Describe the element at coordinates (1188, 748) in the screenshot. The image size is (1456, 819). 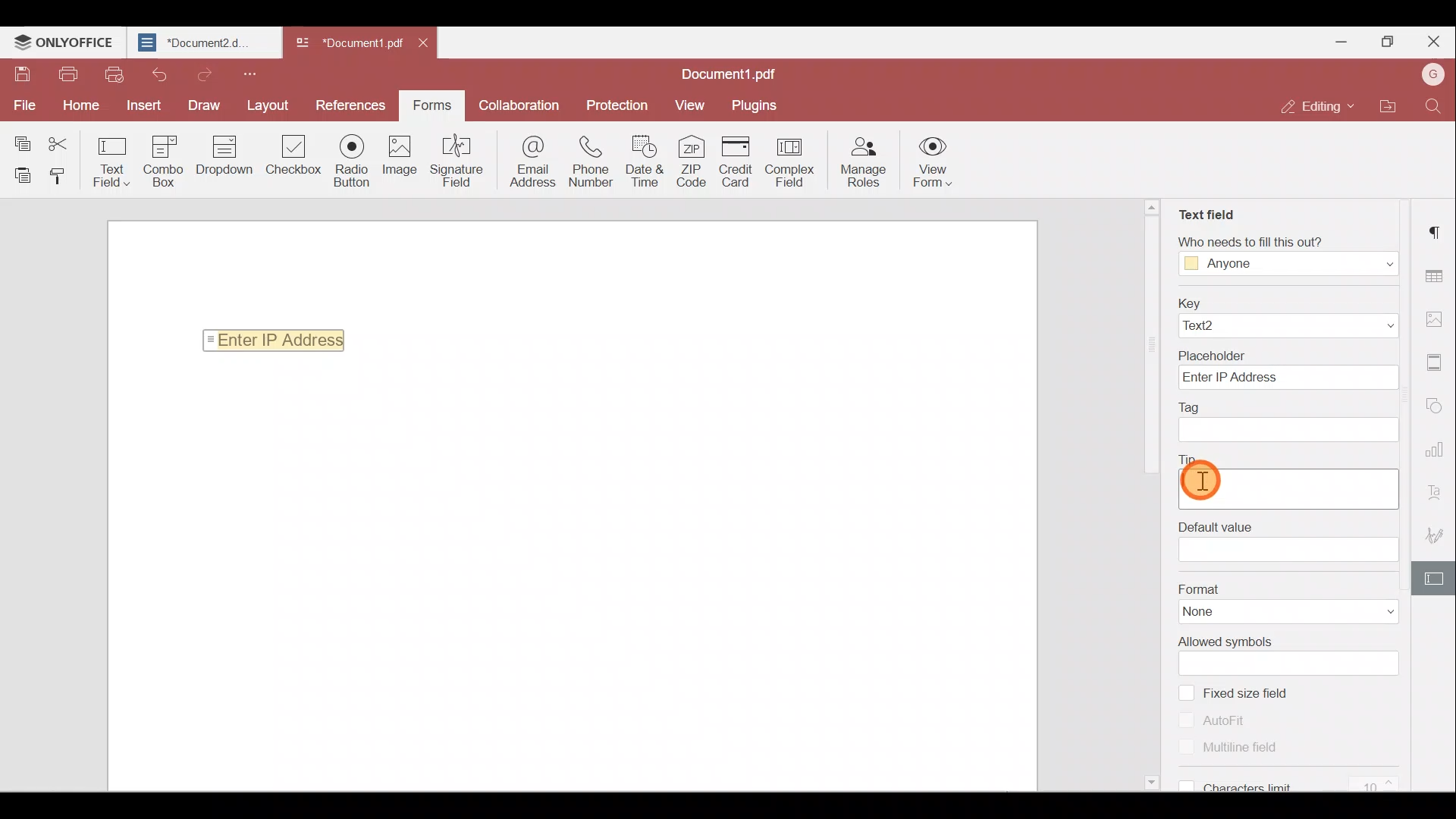
I see `checkbox` at that location.